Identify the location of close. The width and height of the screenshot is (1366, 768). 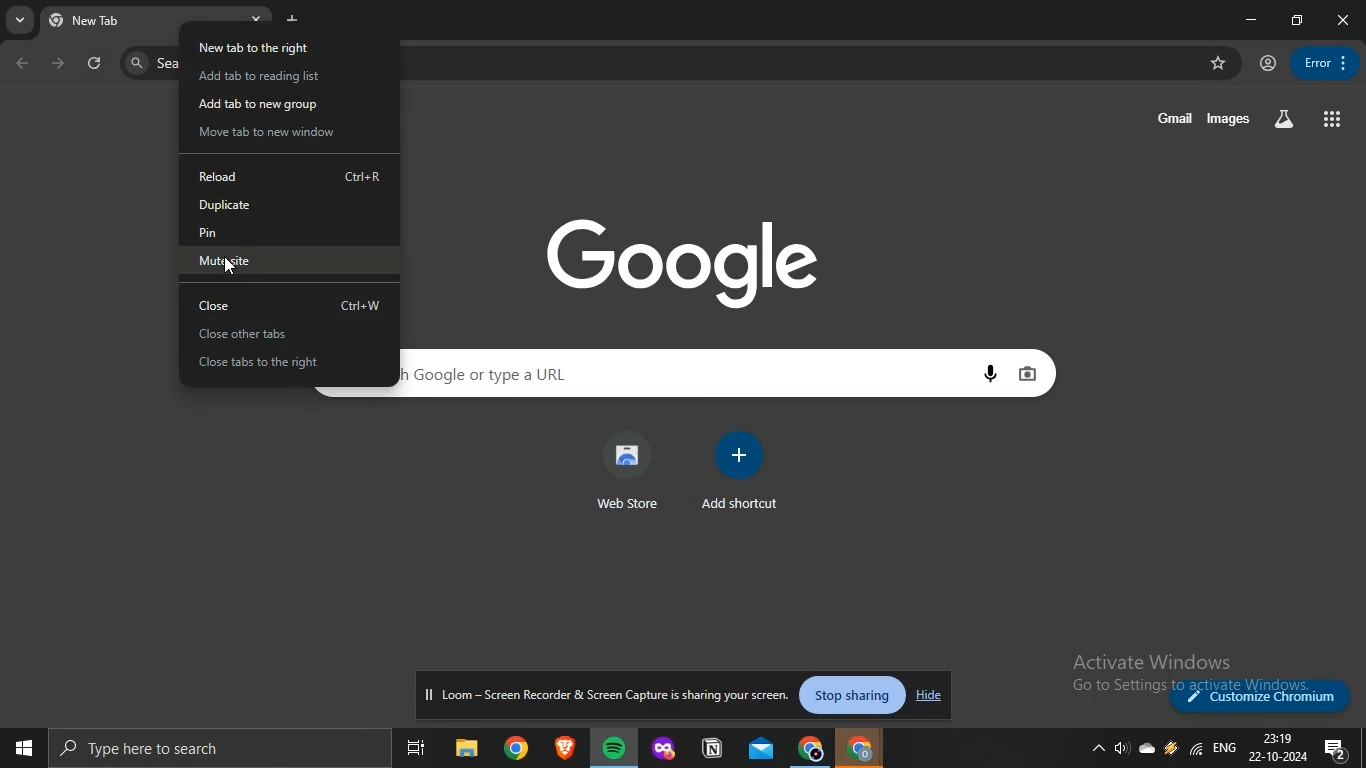
(260, 22).